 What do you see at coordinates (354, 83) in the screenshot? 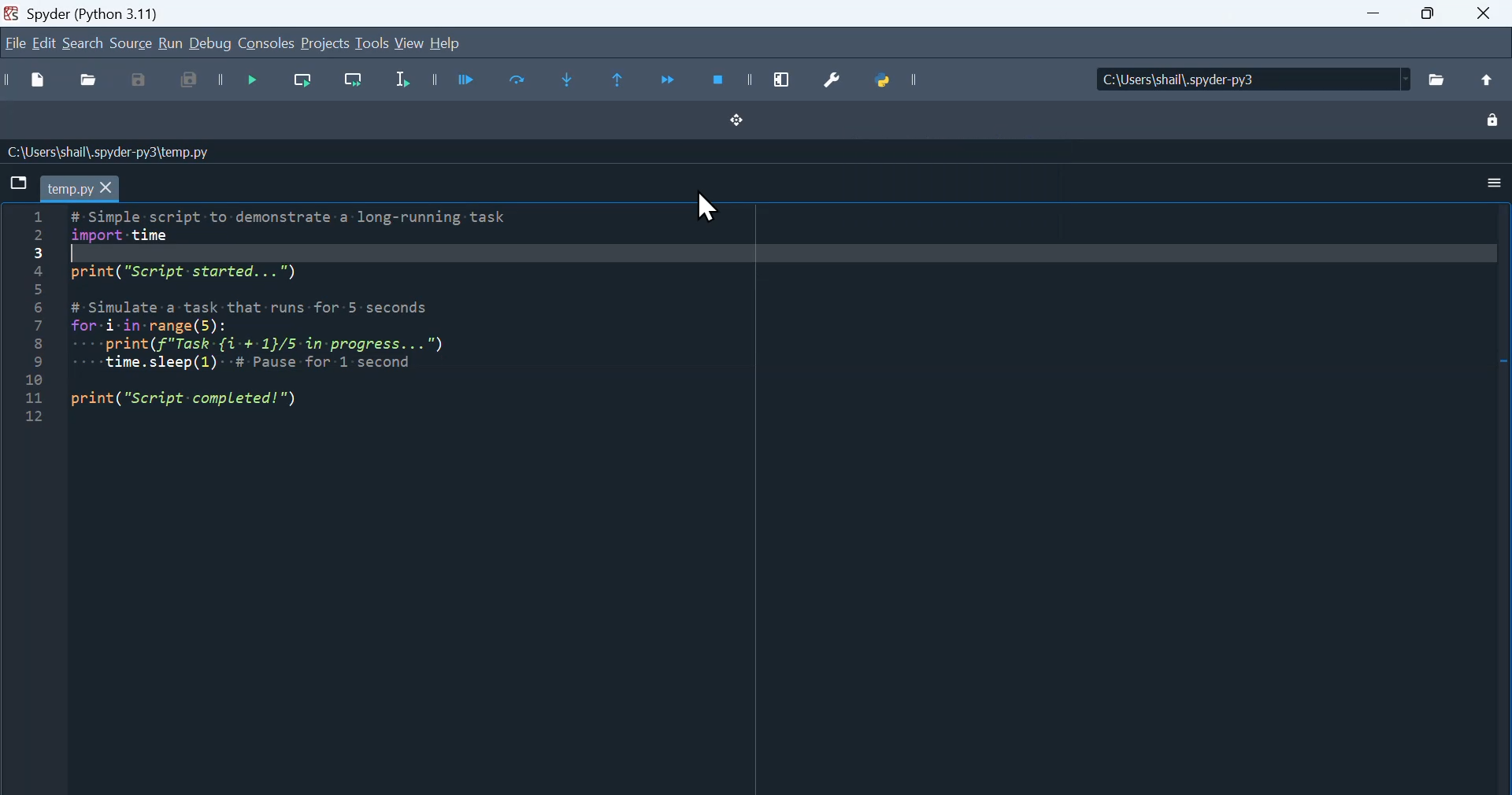
I see `Run current line and go to the next one` at bounding box center [354, 83].